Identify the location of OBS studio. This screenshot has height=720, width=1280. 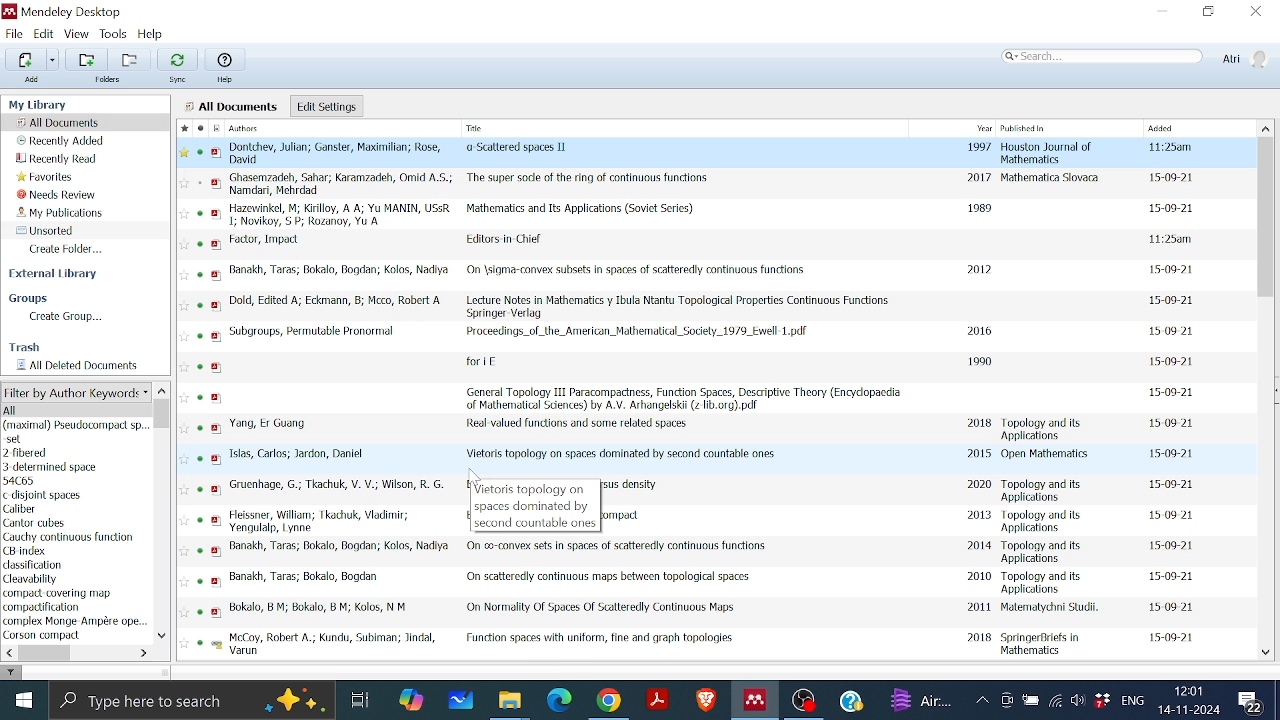
(806, 700).